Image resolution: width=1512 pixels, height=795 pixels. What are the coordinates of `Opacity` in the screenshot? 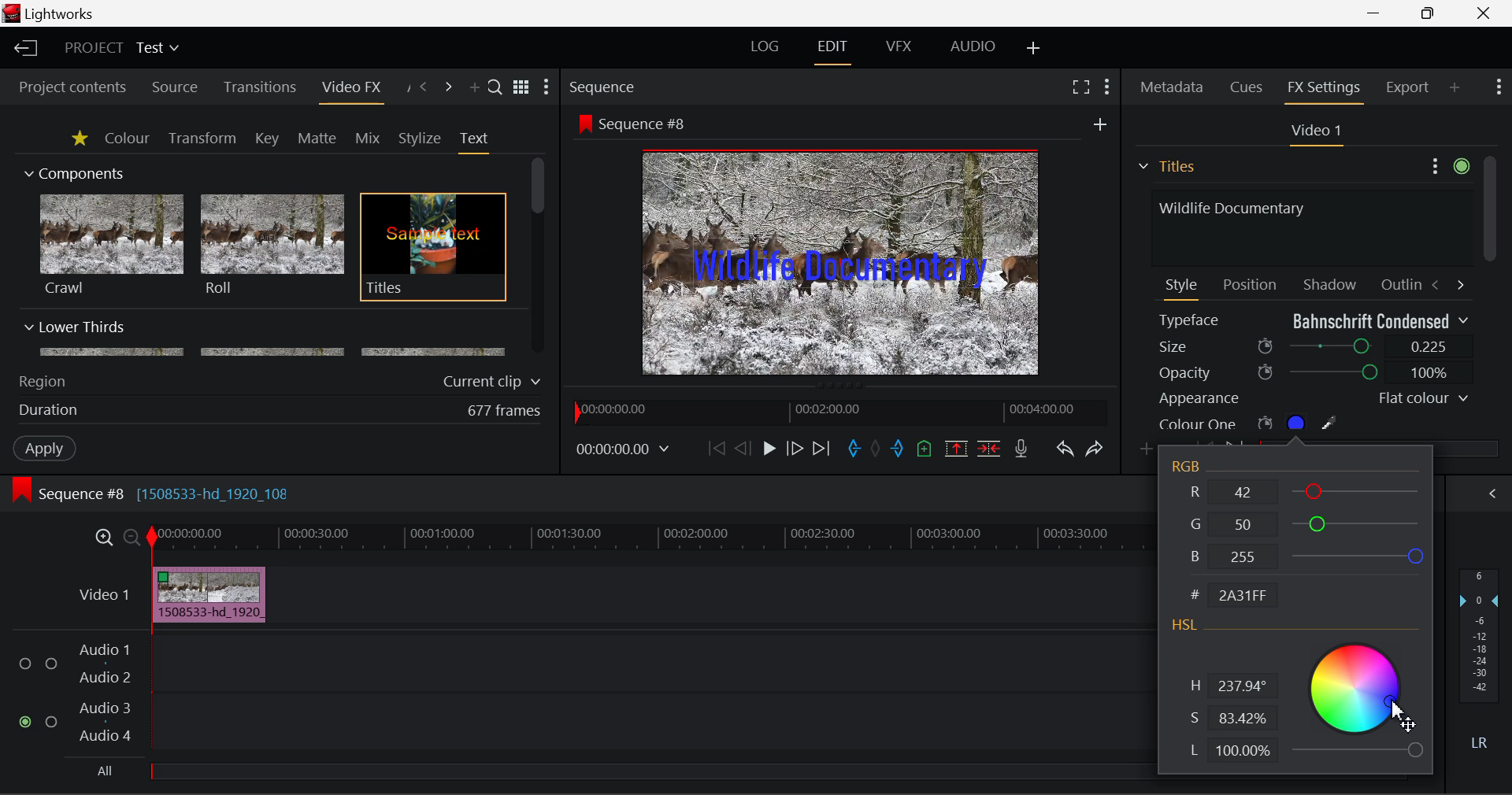 It's located at (1314, 372).